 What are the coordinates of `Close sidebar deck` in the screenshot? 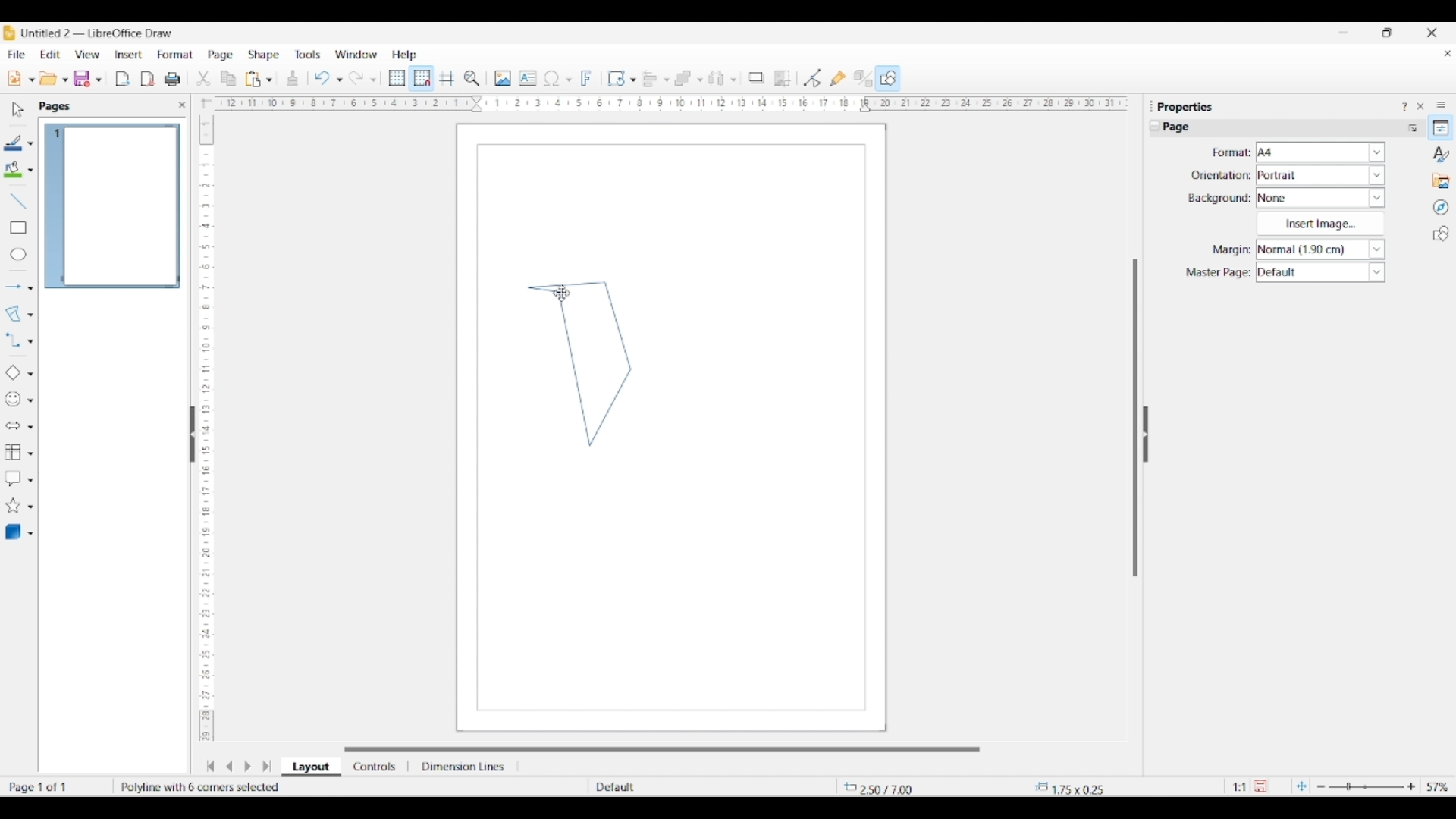 It's located at (1420, 106).